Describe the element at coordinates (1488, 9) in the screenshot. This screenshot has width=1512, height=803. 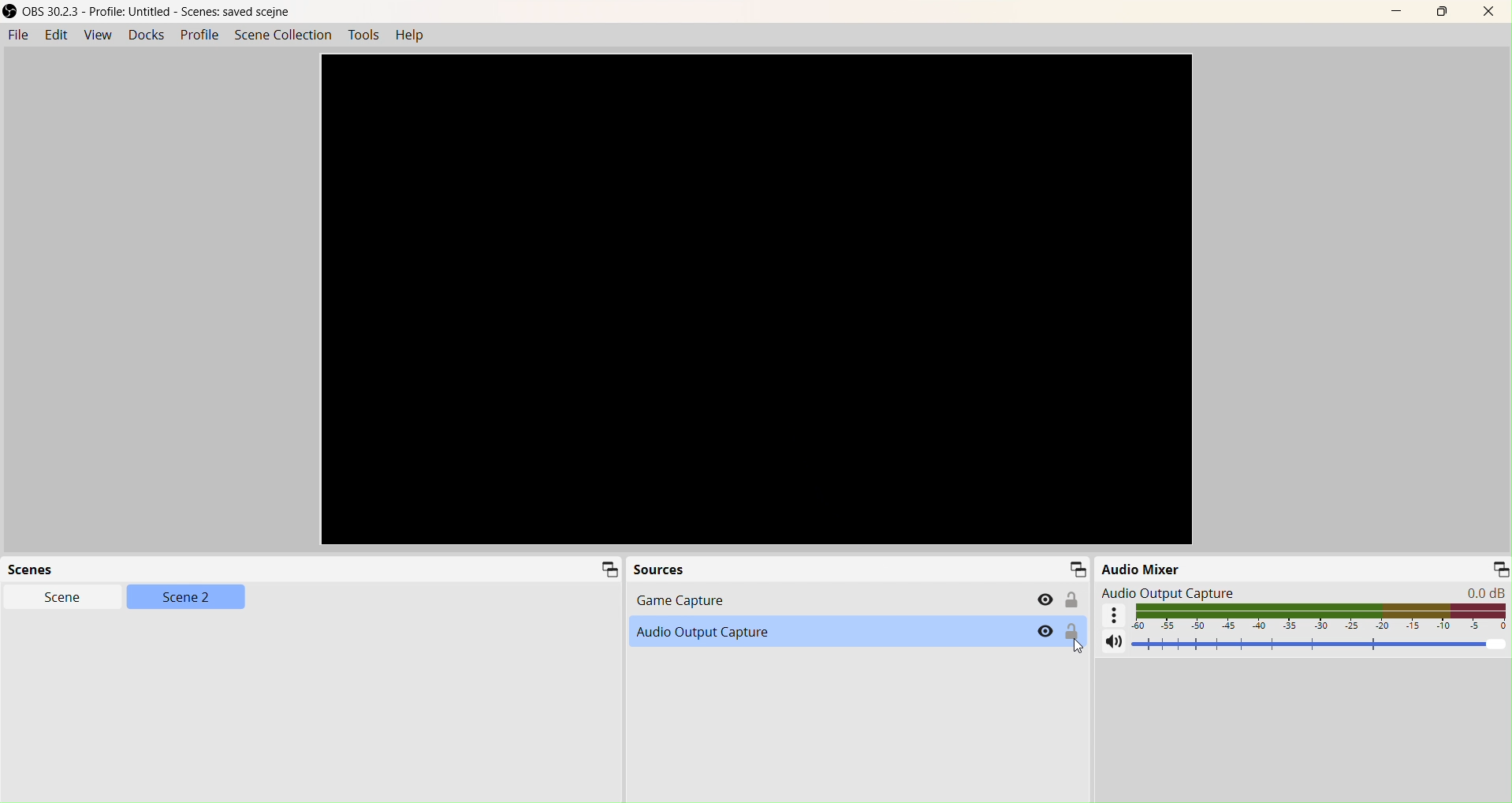
I see `Close` at that location.